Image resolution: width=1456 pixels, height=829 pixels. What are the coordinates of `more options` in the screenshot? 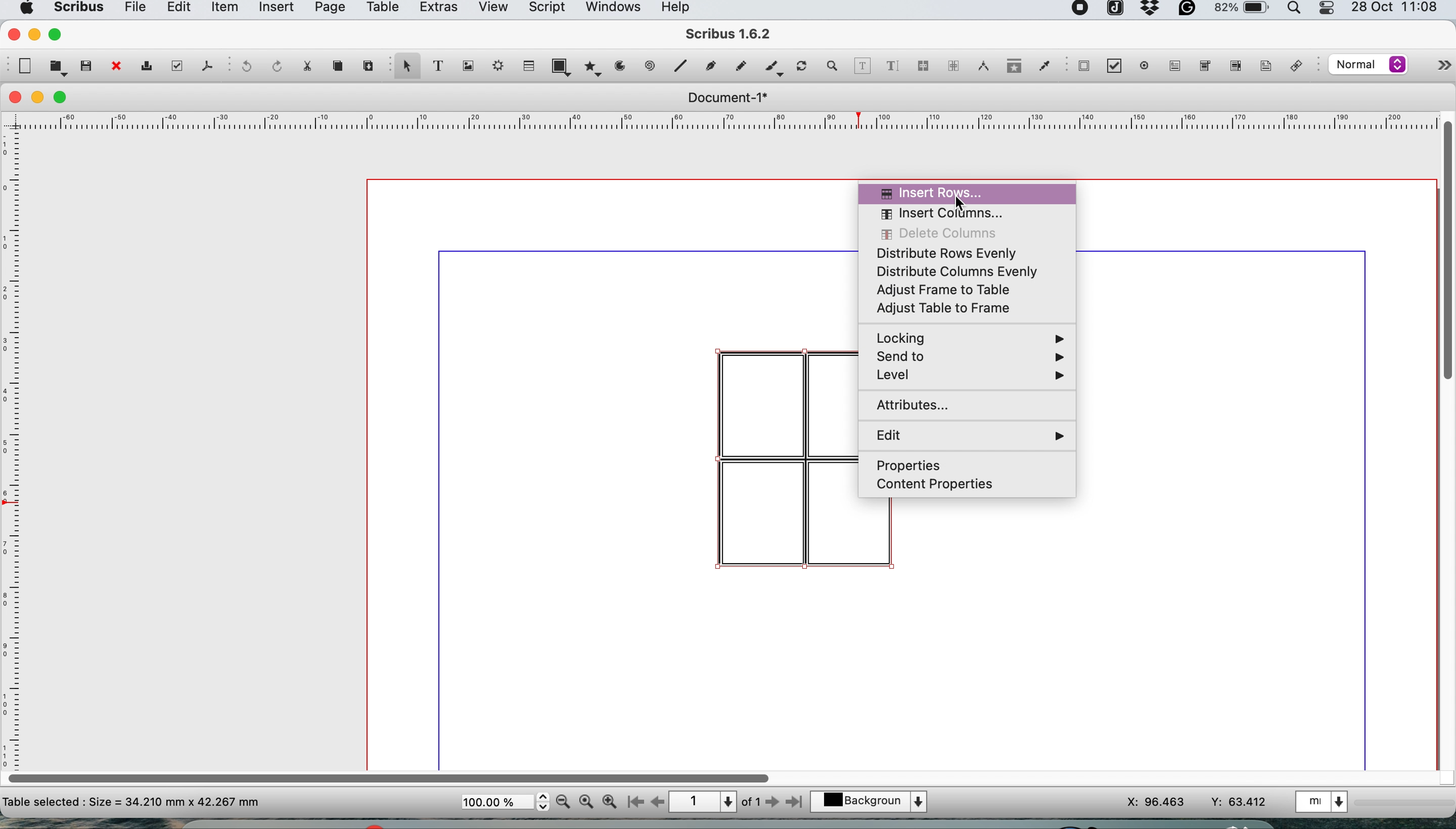 It's located at (1432, 68).